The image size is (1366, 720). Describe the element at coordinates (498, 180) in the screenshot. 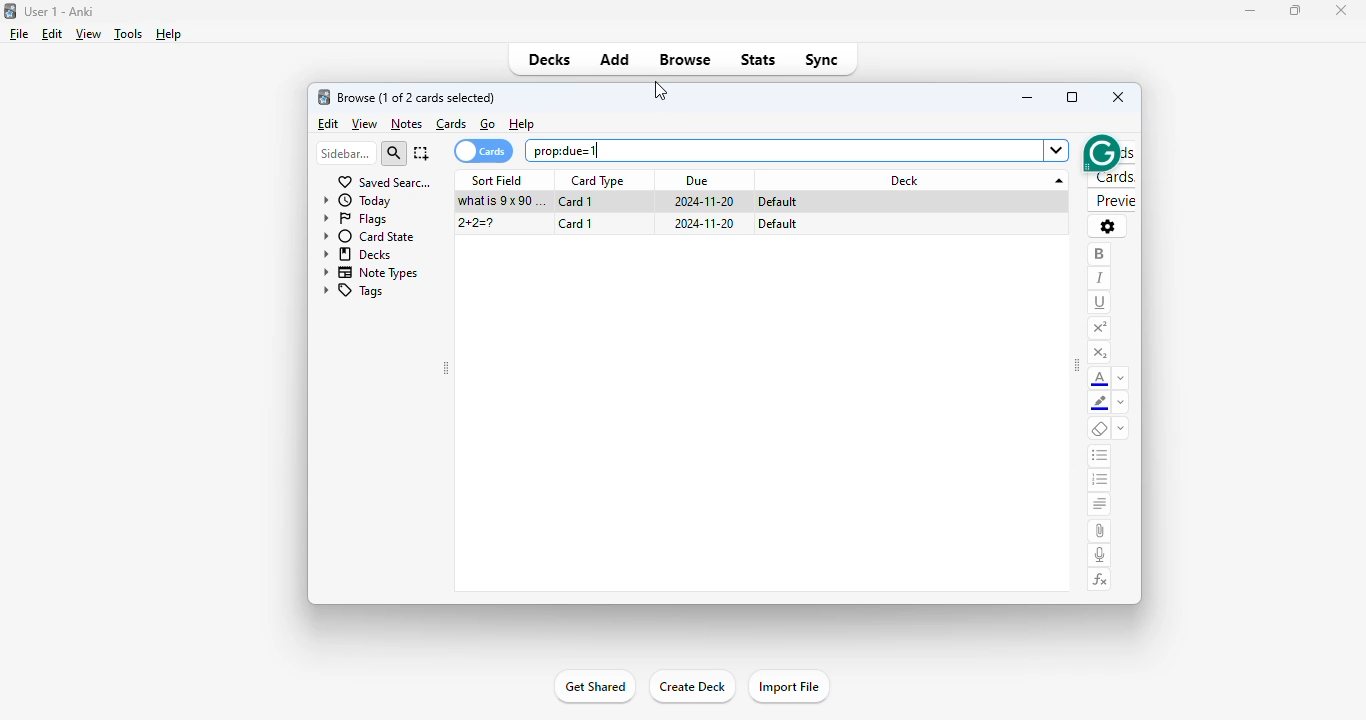

I see `sort field` at that location.